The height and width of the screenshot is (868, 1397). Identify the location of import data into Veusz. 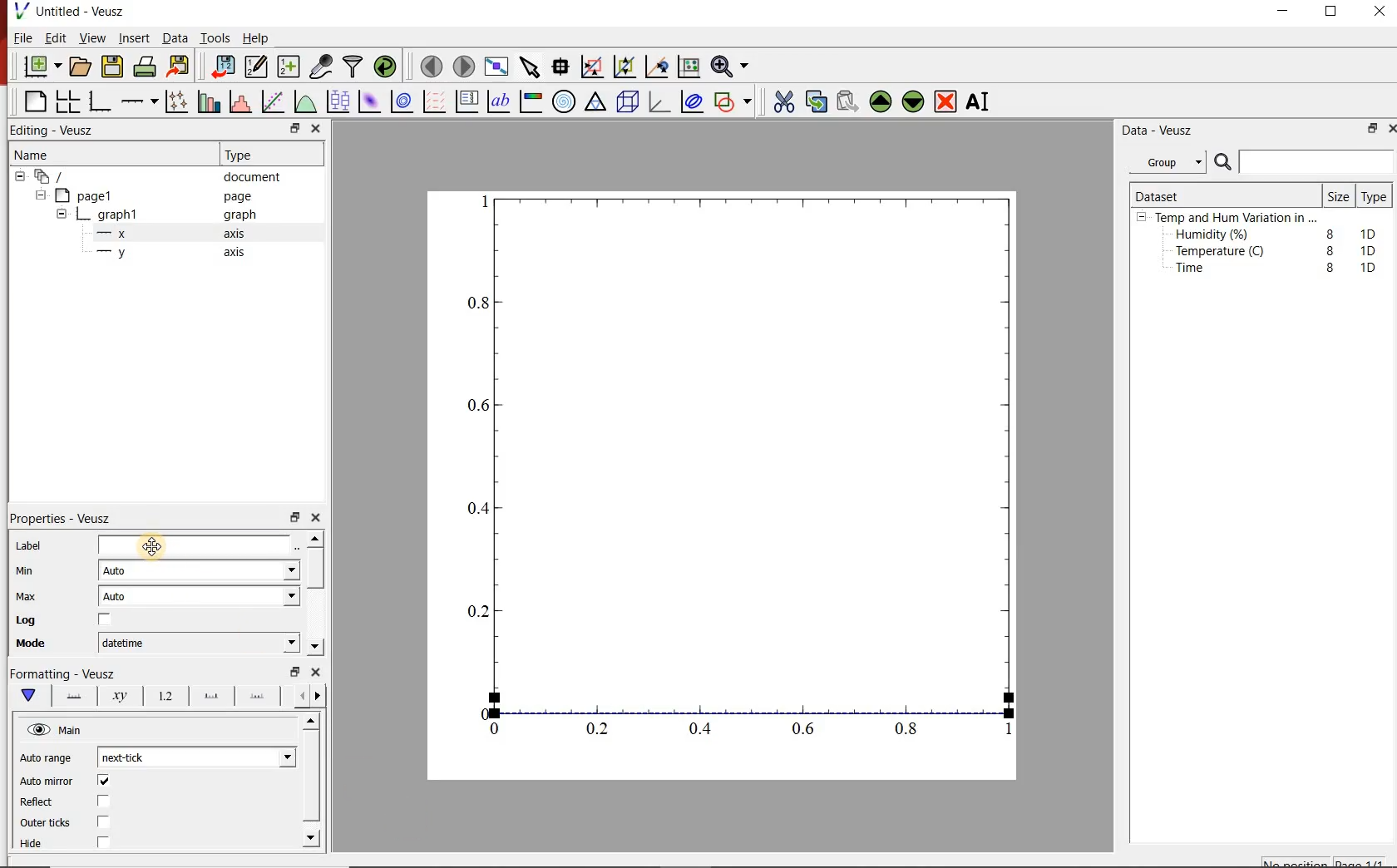
(222, 65).